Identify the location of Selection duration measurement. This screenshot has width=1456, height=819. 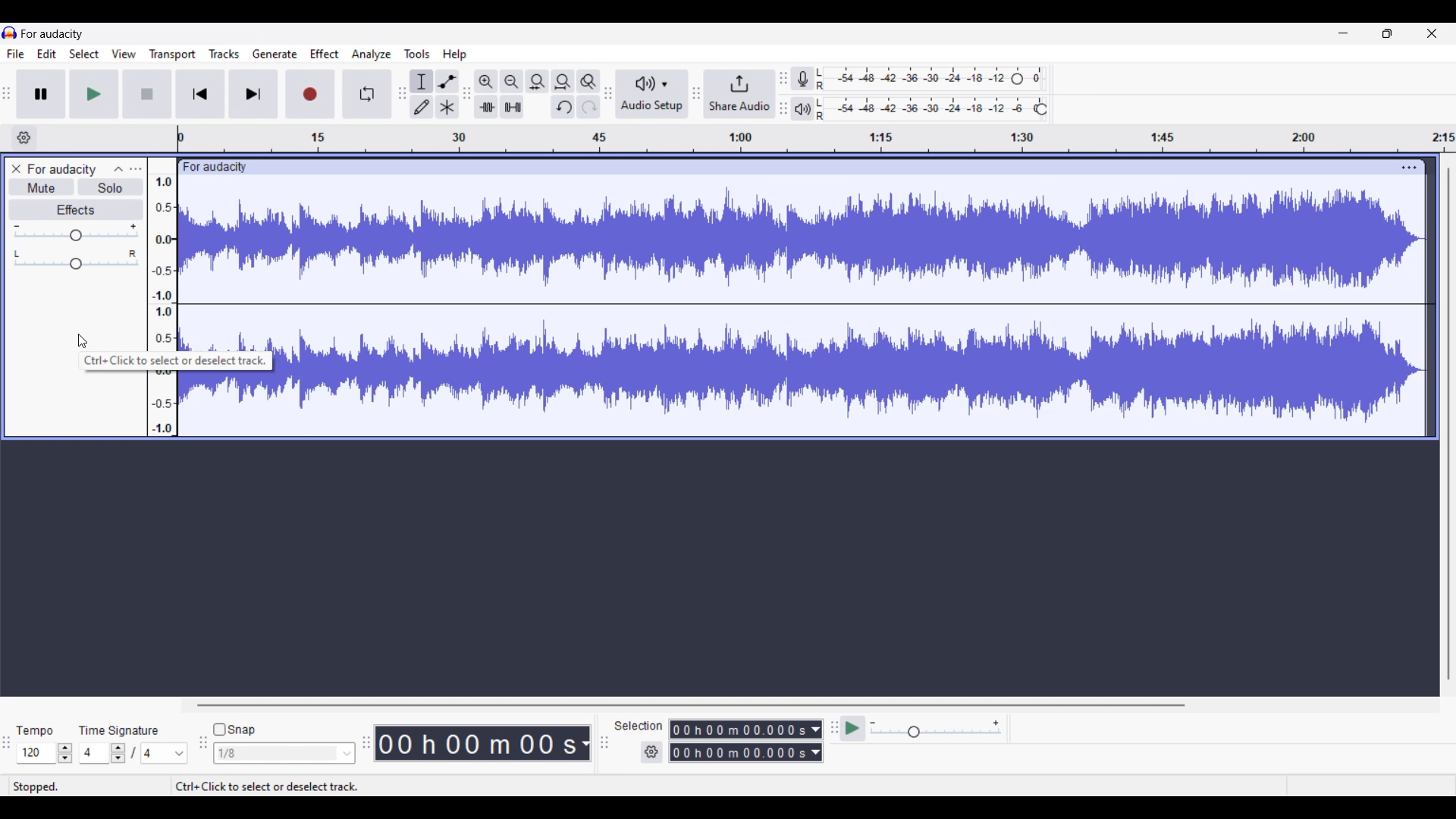
(816, 741).